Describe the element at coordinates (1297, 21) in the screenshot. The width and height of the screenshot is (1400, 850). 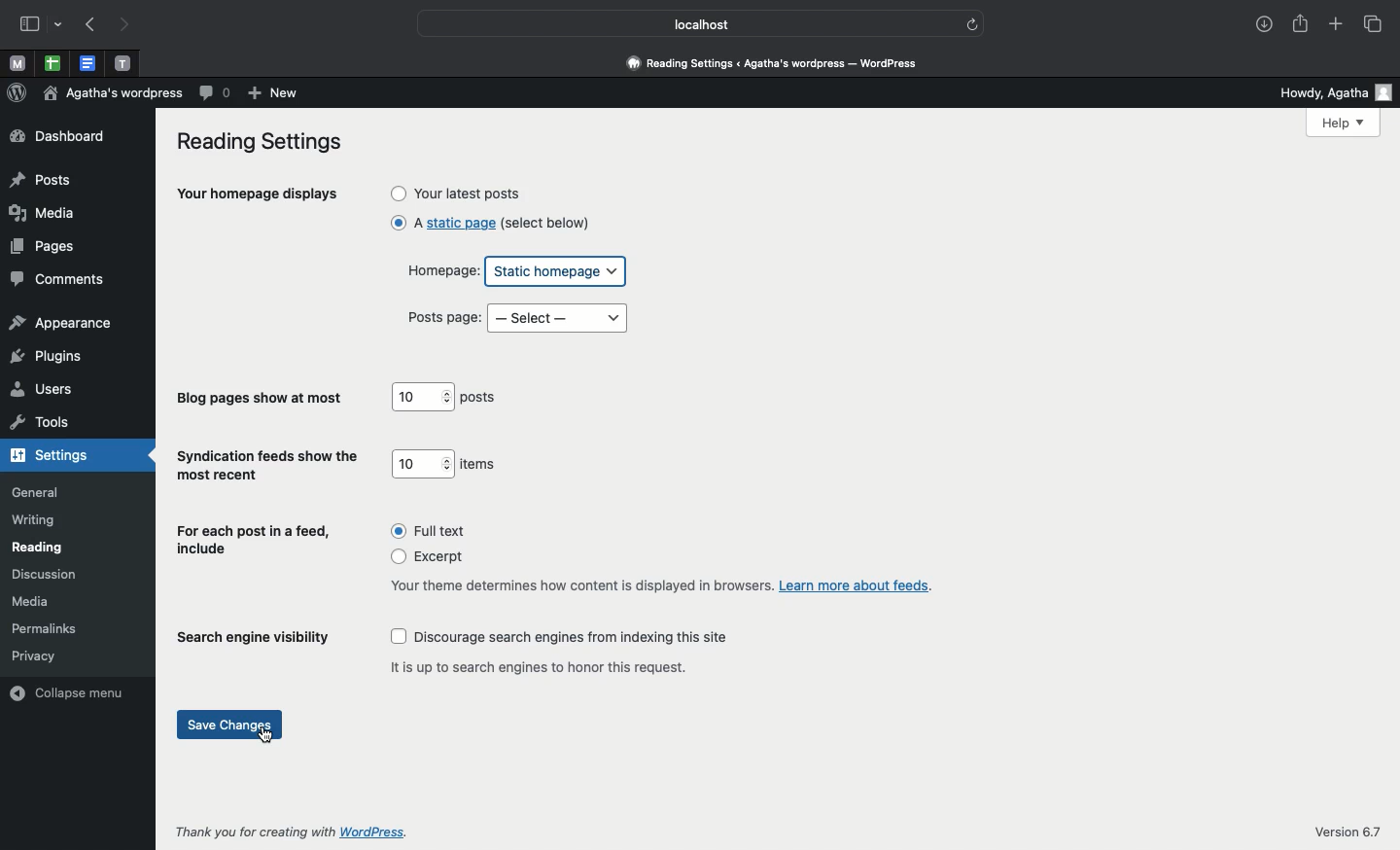
I see `Share` at that location.